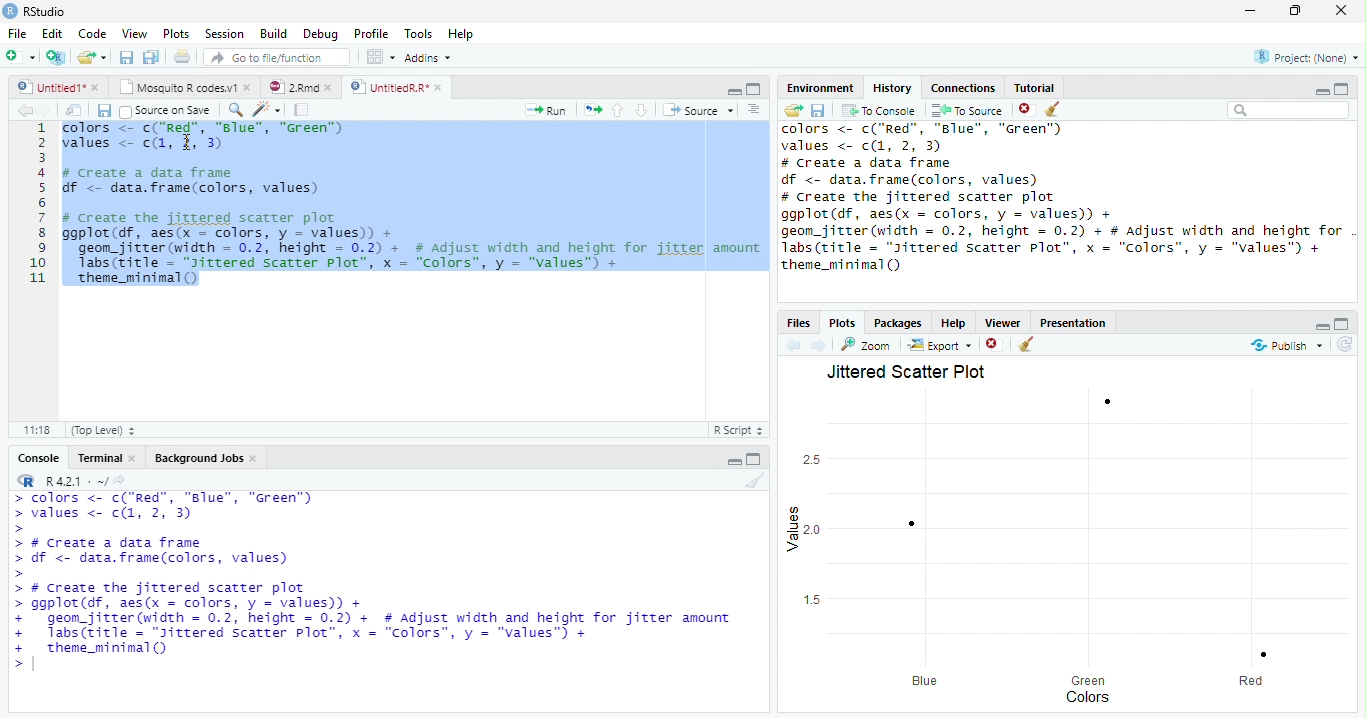  Describe the element at coordinates (95, 88) in the screenshot. I see `close` at that location.